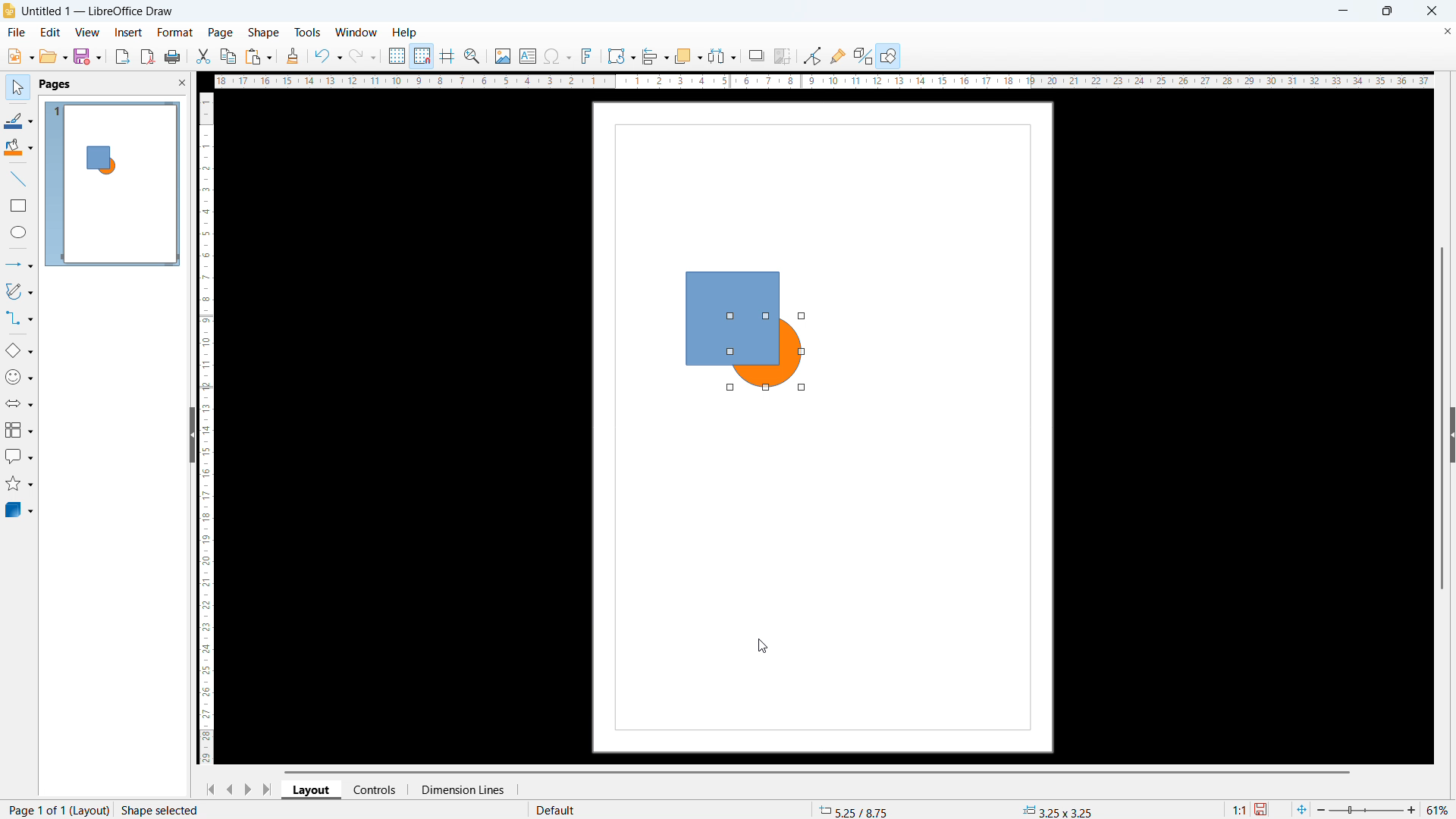  What do you see at coordinates (621, 57) in the screenshot?
I see `transformation` at bounding box center [621, 57].